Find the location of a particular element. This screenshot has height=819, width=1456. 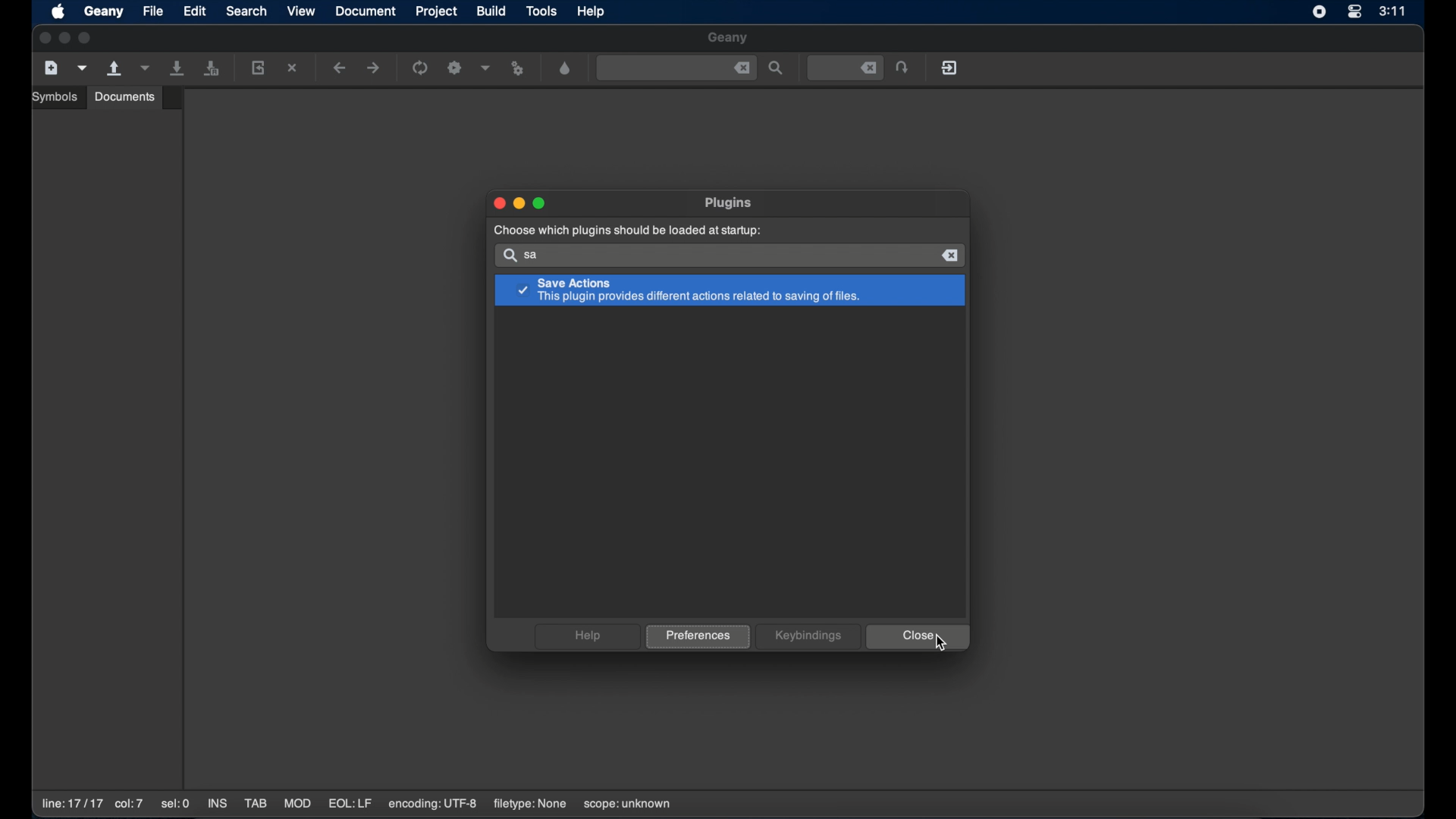

run or view the current file file is located at coordinates (520, 69).